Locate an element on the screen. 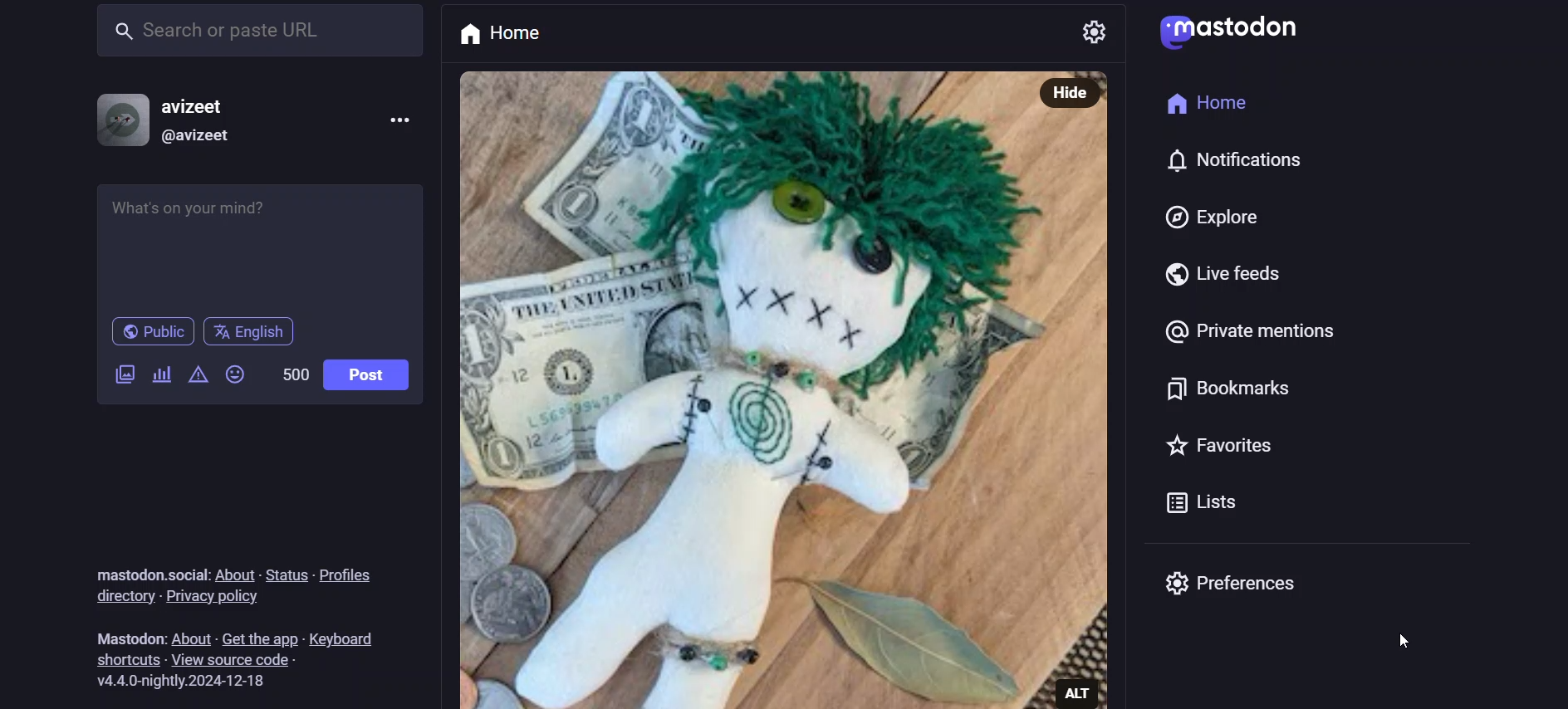 The image size is (1568, 709). Settings is located at coordinates (1094, 33).